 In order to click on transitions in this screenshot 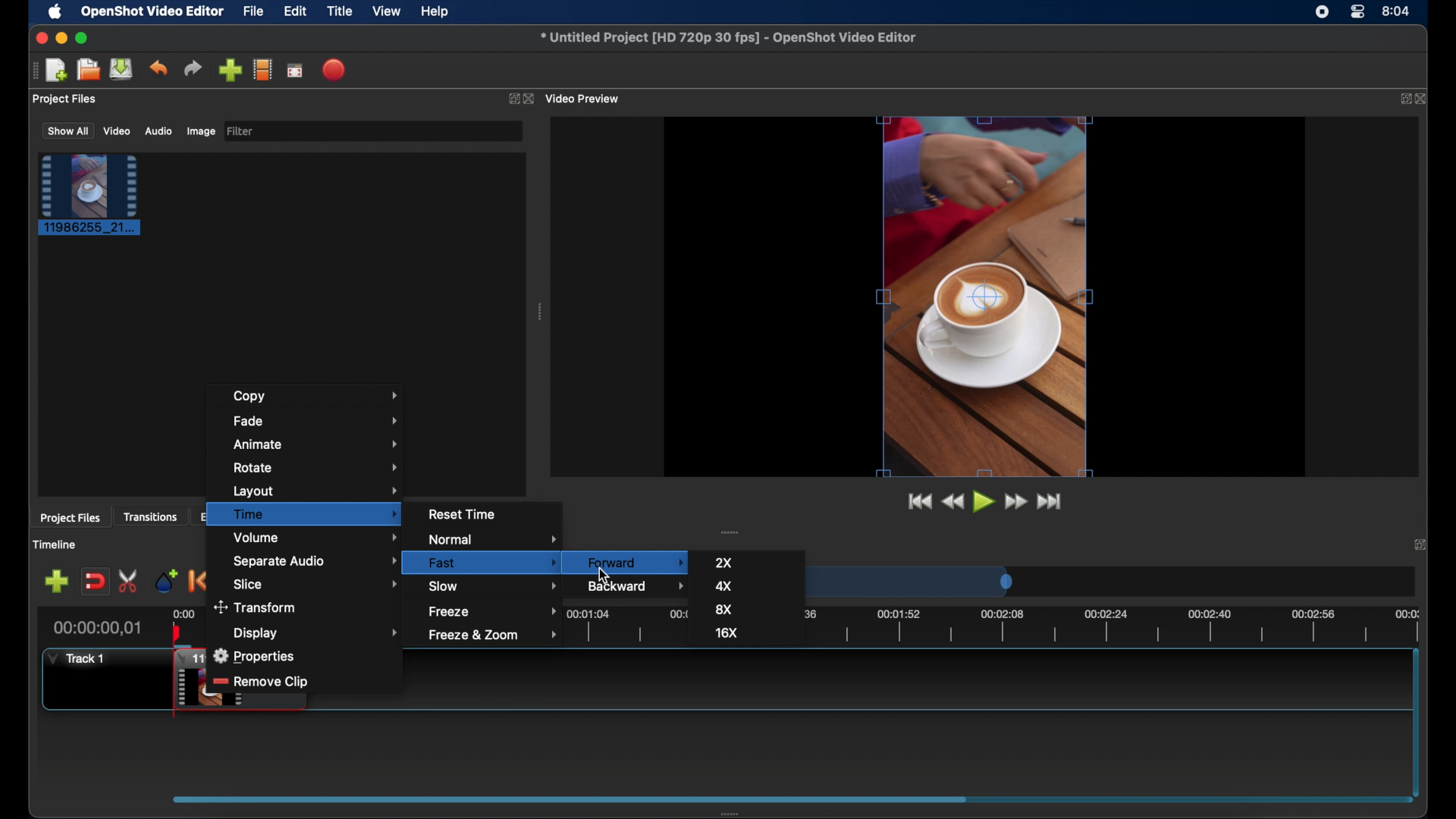, I will do `click(150, 518)`.